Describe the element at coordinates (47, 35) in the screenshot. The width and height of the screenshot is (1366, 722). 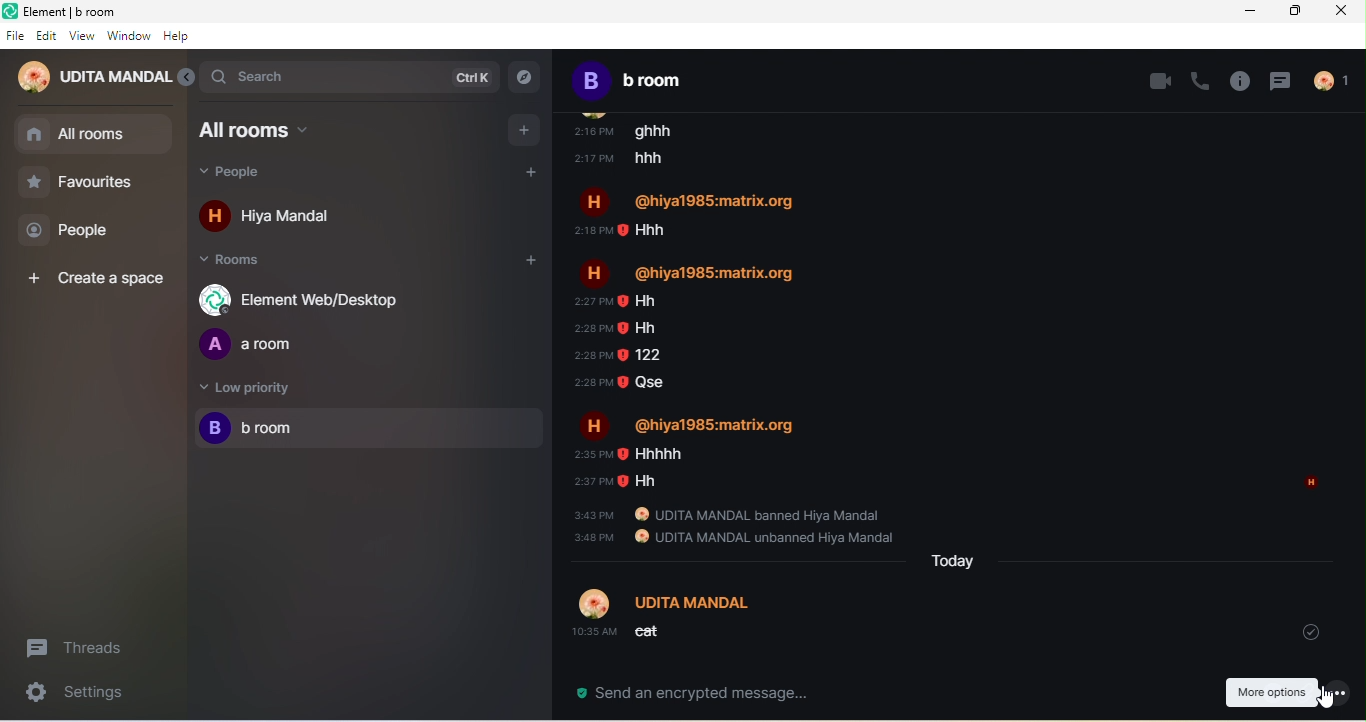
I see `edit` at that location.